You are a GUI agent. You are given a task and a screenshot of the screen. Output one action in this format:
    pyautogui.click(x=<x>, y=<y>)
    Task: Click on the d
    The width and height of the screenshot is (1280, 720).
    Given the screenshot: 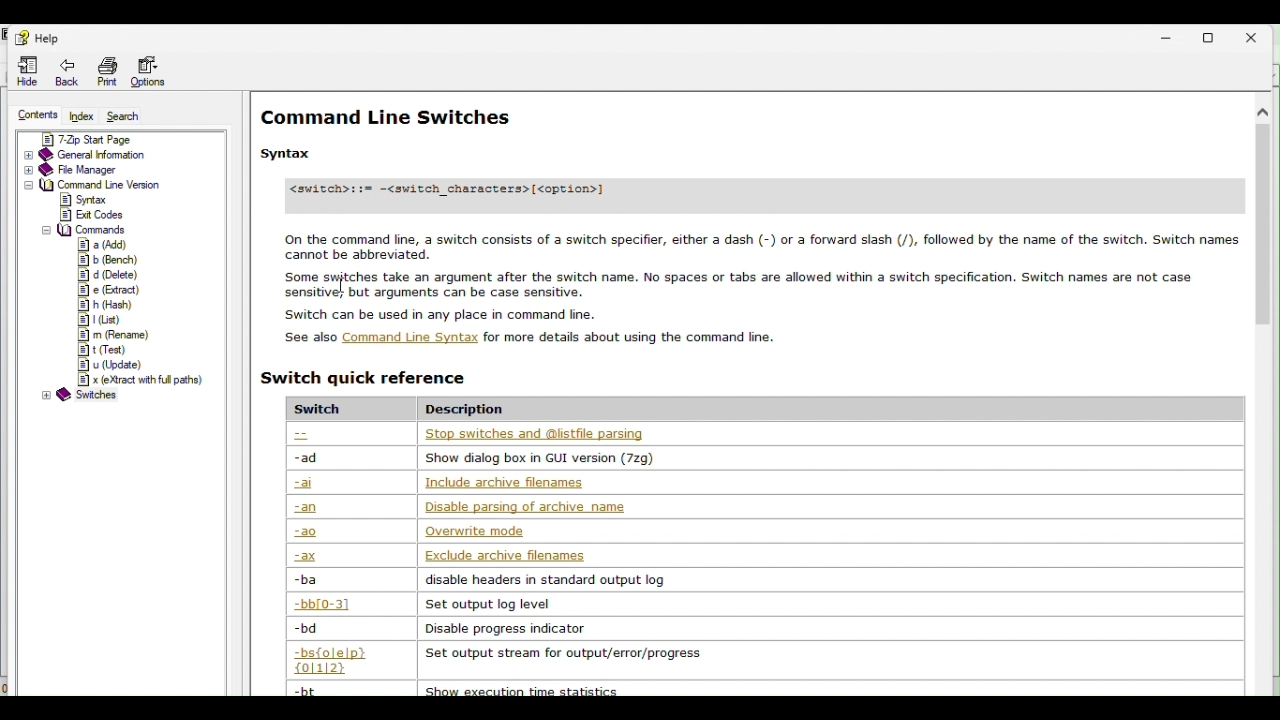 What is the action you would take?
    pyautogui.click(x=119, y=274)
    